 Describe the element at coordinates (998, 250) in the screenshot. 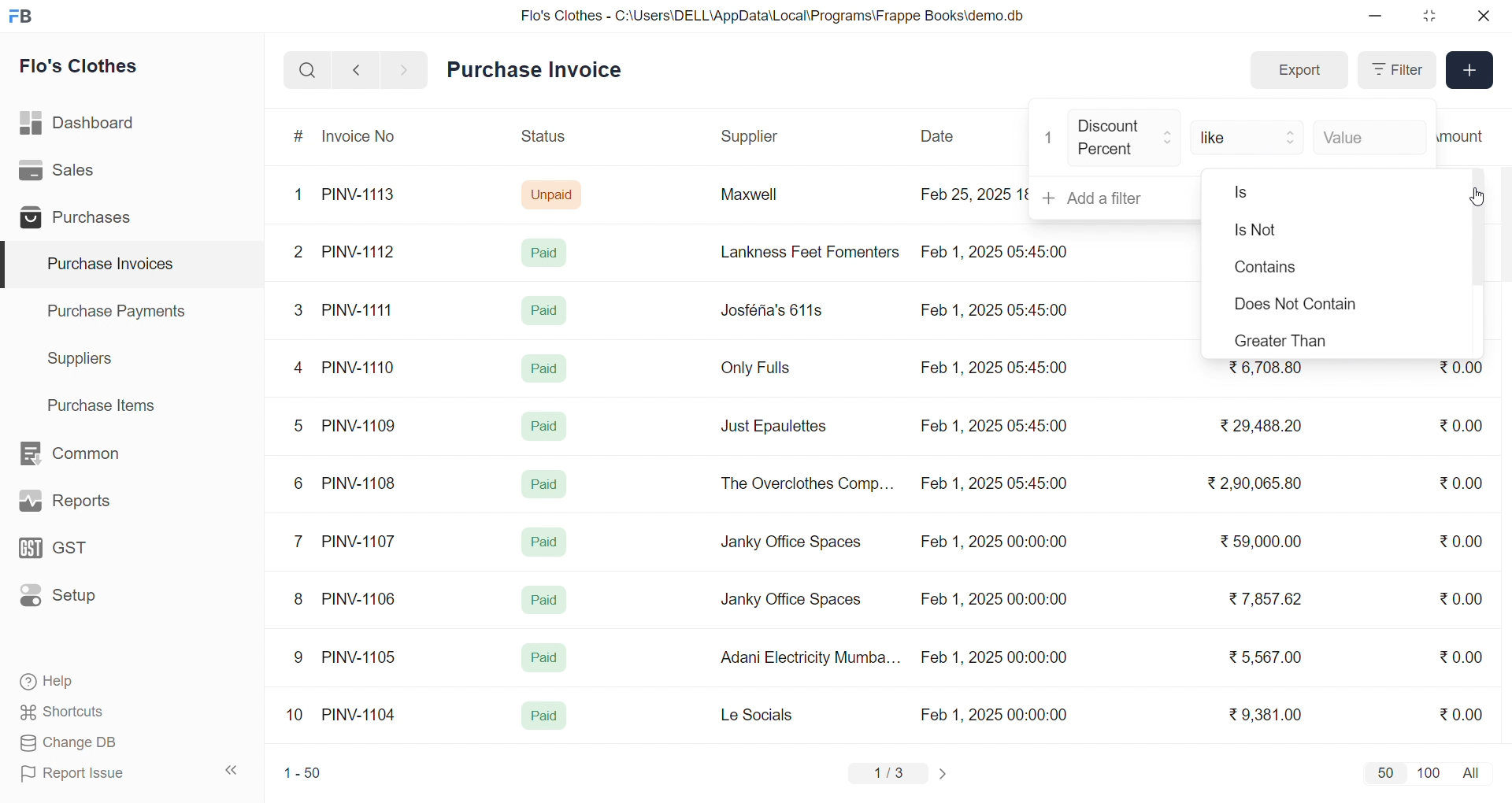

I see `Feb 1, 2025 05:45:00` at that location.